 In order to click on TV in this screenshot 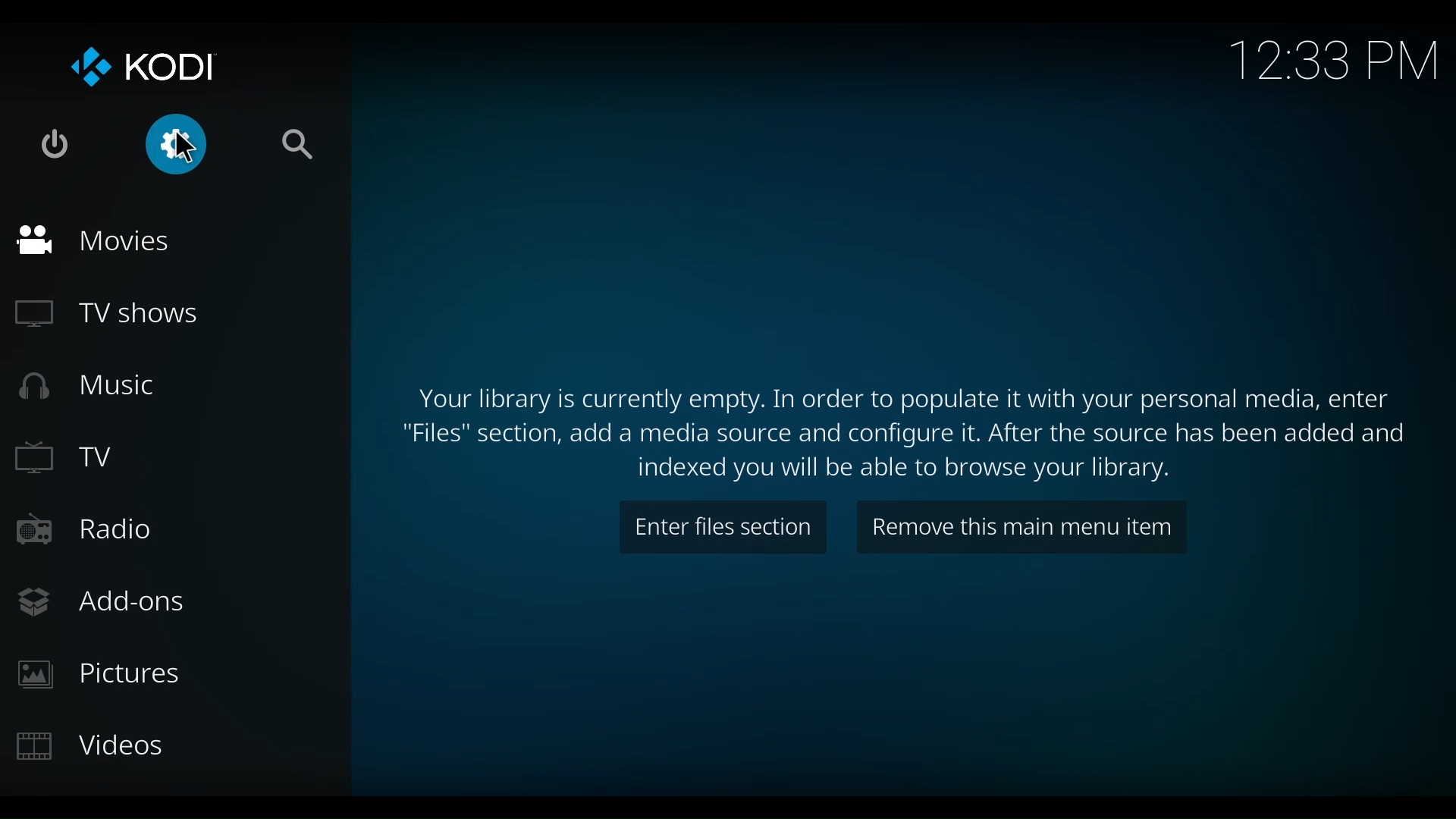, I will do `click(66, 457)`.